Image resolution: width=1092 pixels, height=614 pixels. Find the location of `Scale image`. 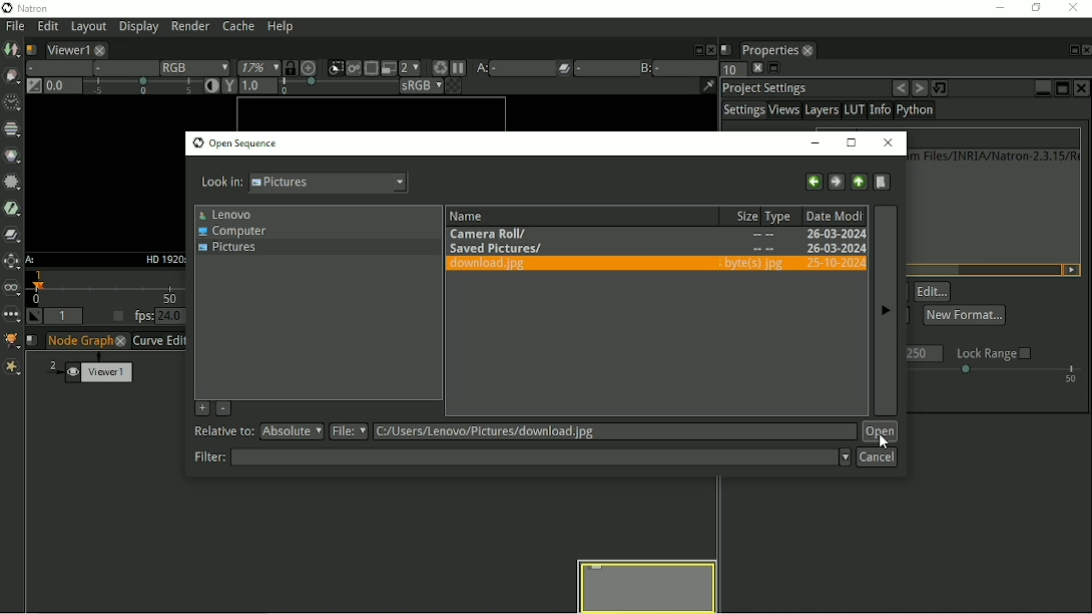

Scale image is located at coordinates (310, 67).